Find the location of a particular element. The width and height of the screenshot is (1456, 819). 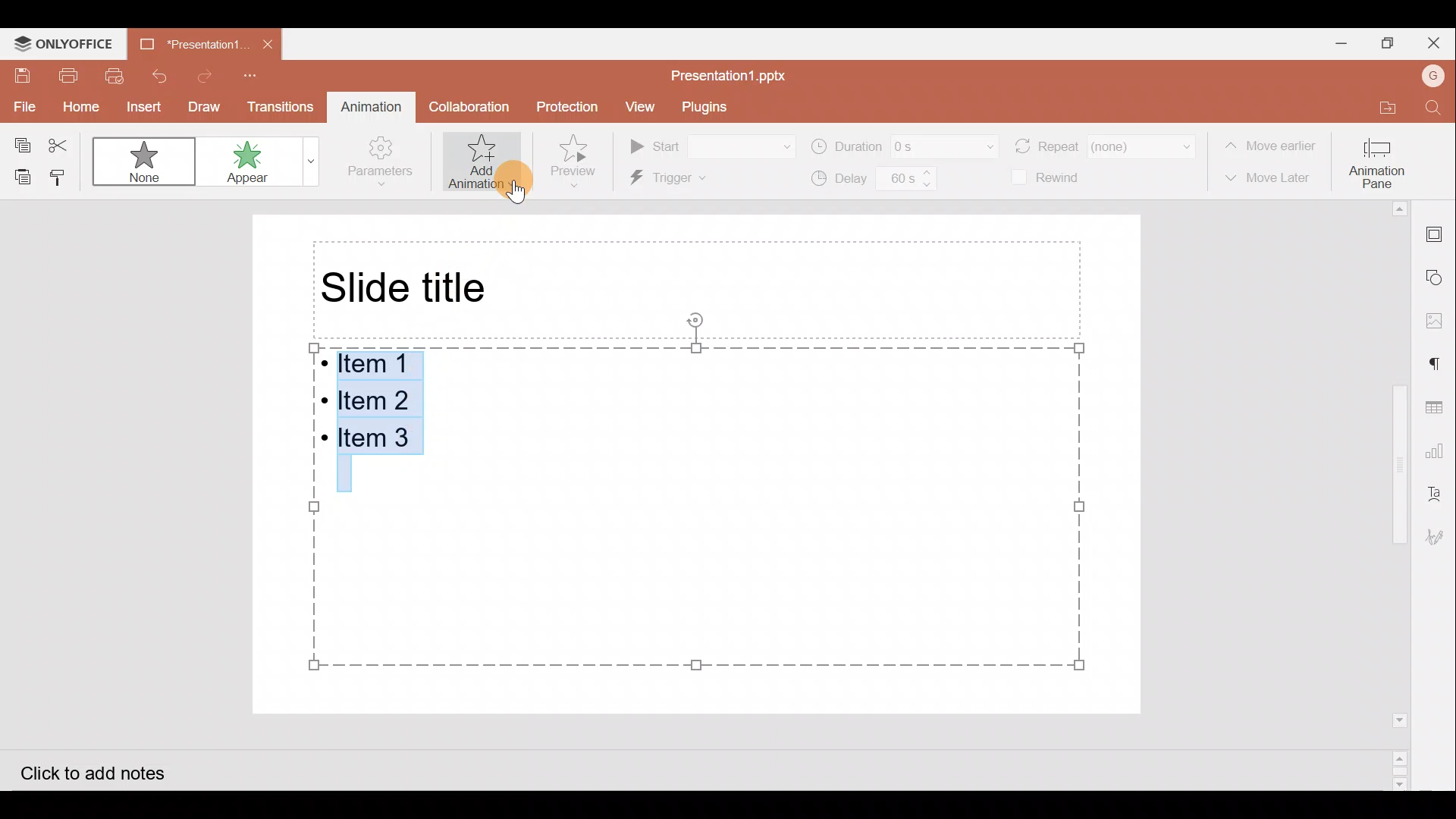

Close document is located at coordinates (264, 42).